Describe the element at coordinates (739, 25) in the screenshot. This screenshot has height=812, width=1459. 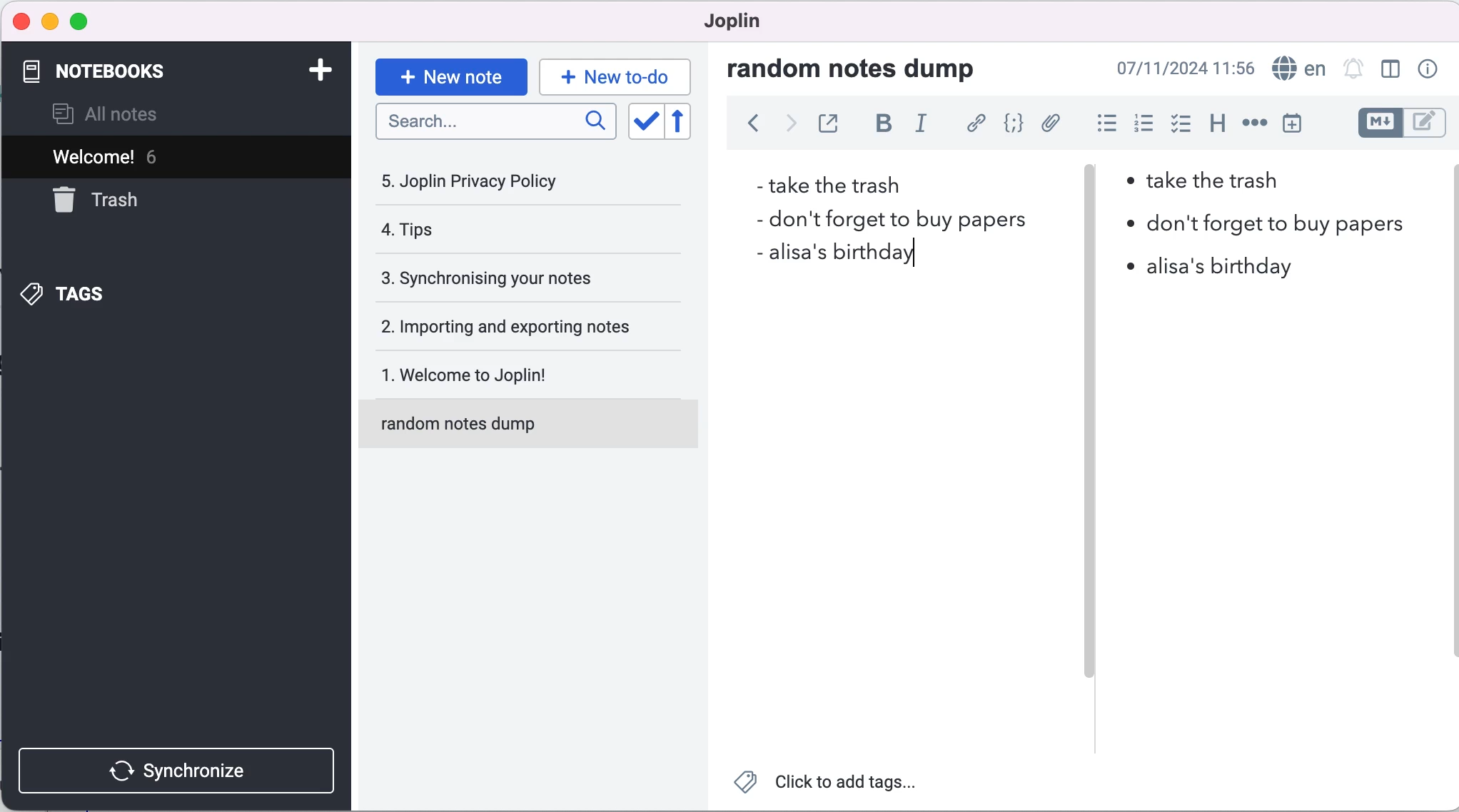
I see `joplin` at that location.